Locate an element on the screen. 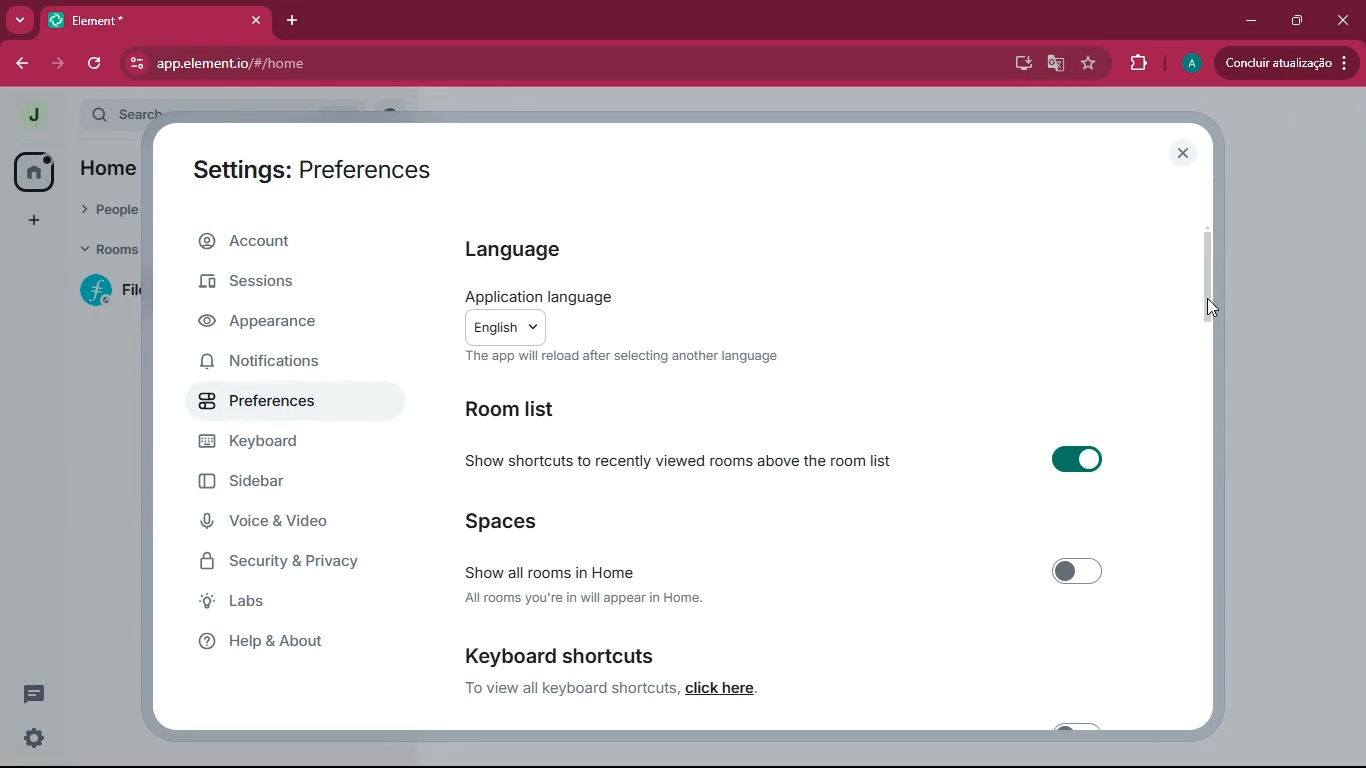 The height and width of the screenshot is (768, 1366). room list is located at coordinates (518, 411).